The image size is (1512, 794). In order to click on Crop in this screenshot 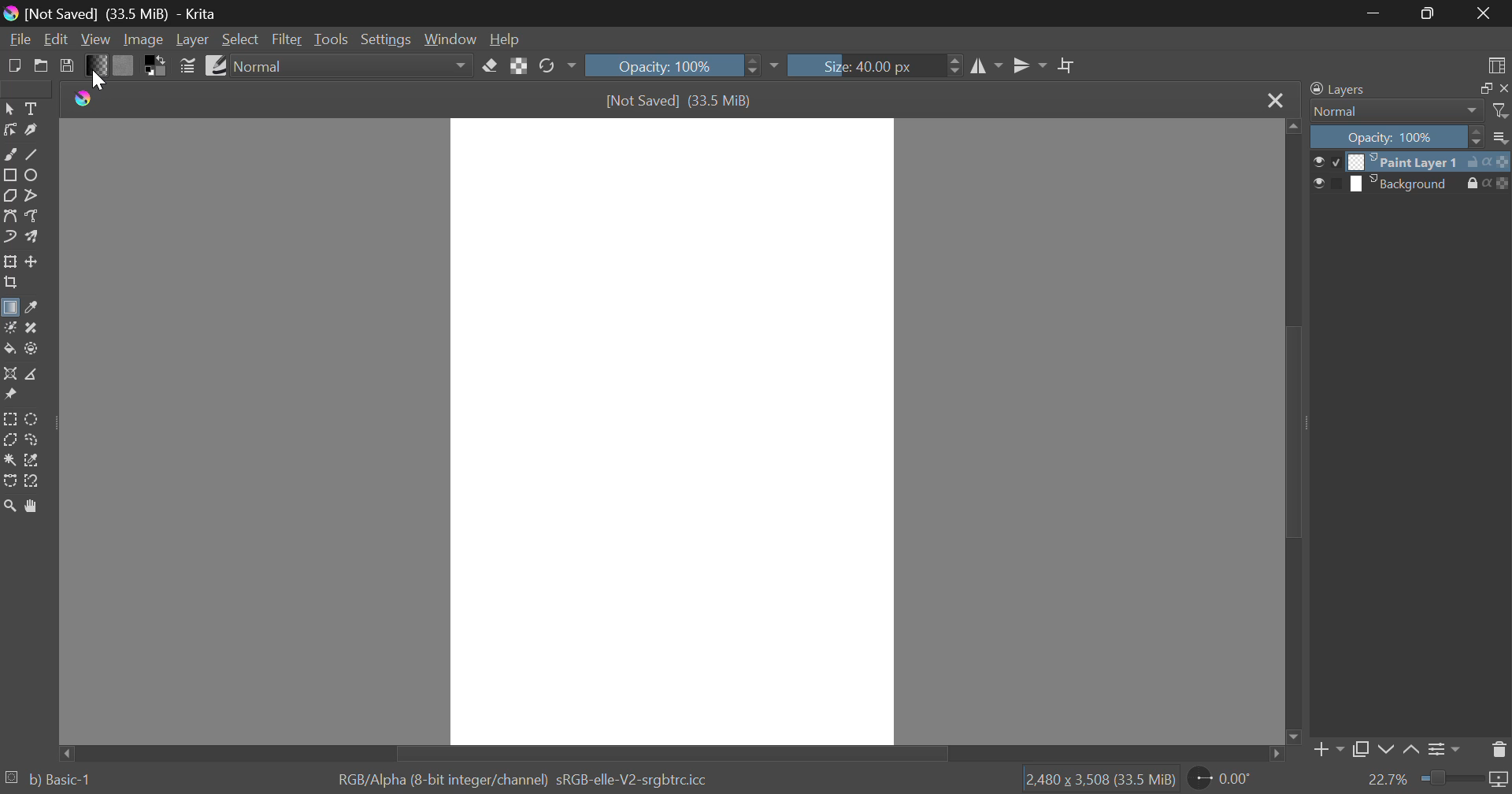, I will do `click(1067, 66)`.